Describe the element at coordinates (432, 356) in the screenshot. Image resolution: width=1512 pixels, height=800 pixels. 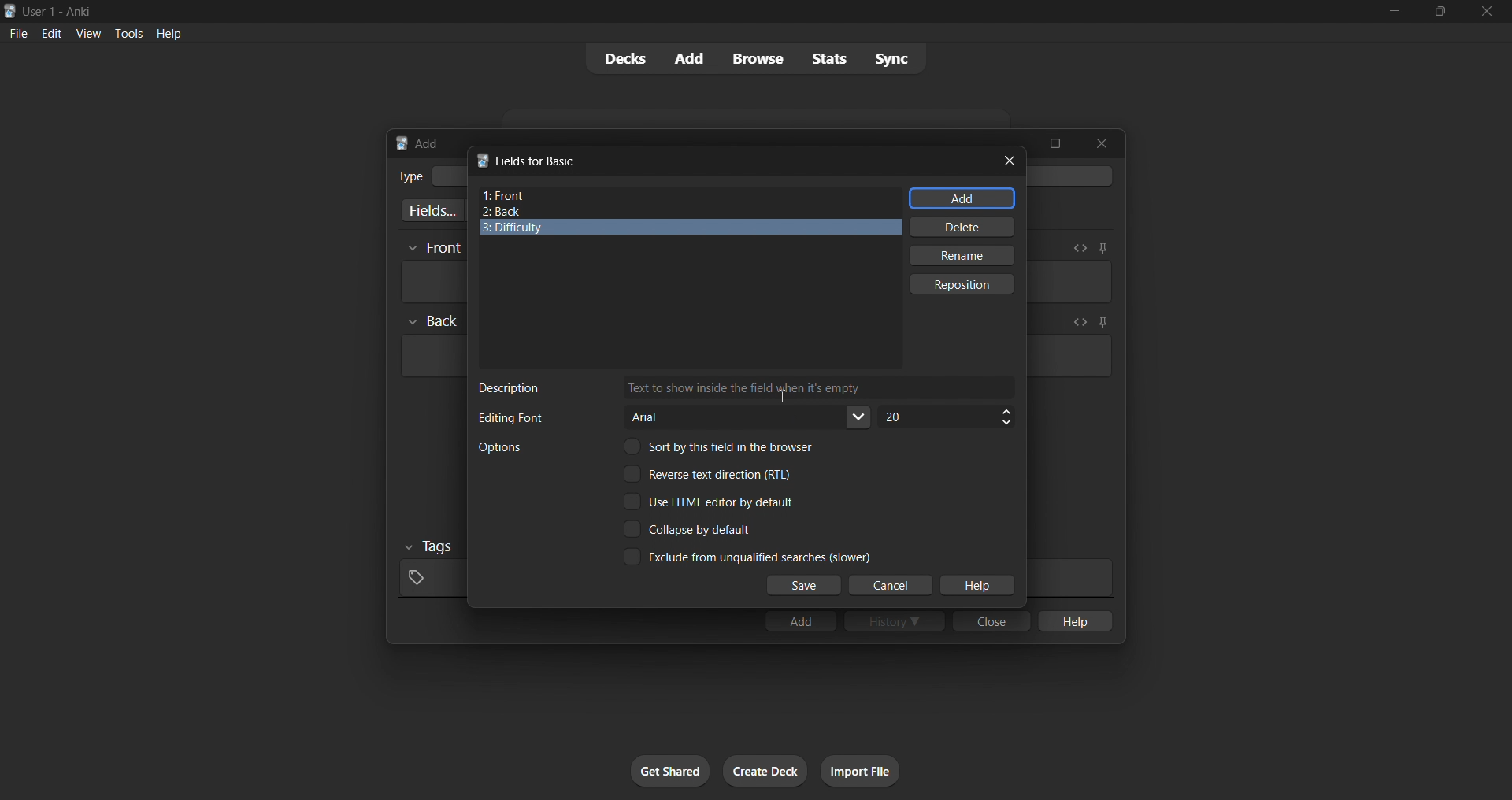
I see `card back input` at that location.